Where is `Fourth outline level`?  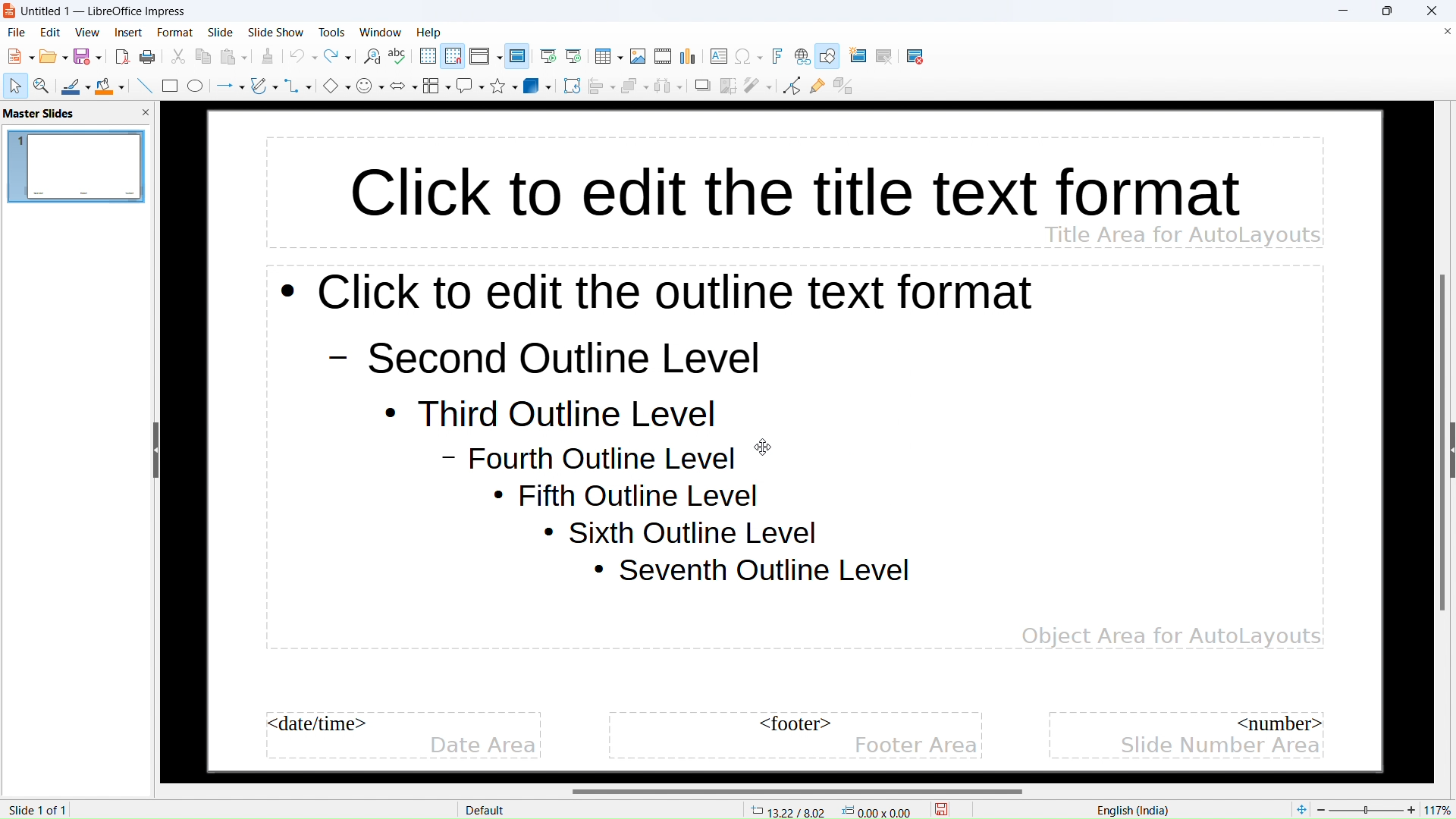
Fourth outline level is located at coordinates (593, 461).